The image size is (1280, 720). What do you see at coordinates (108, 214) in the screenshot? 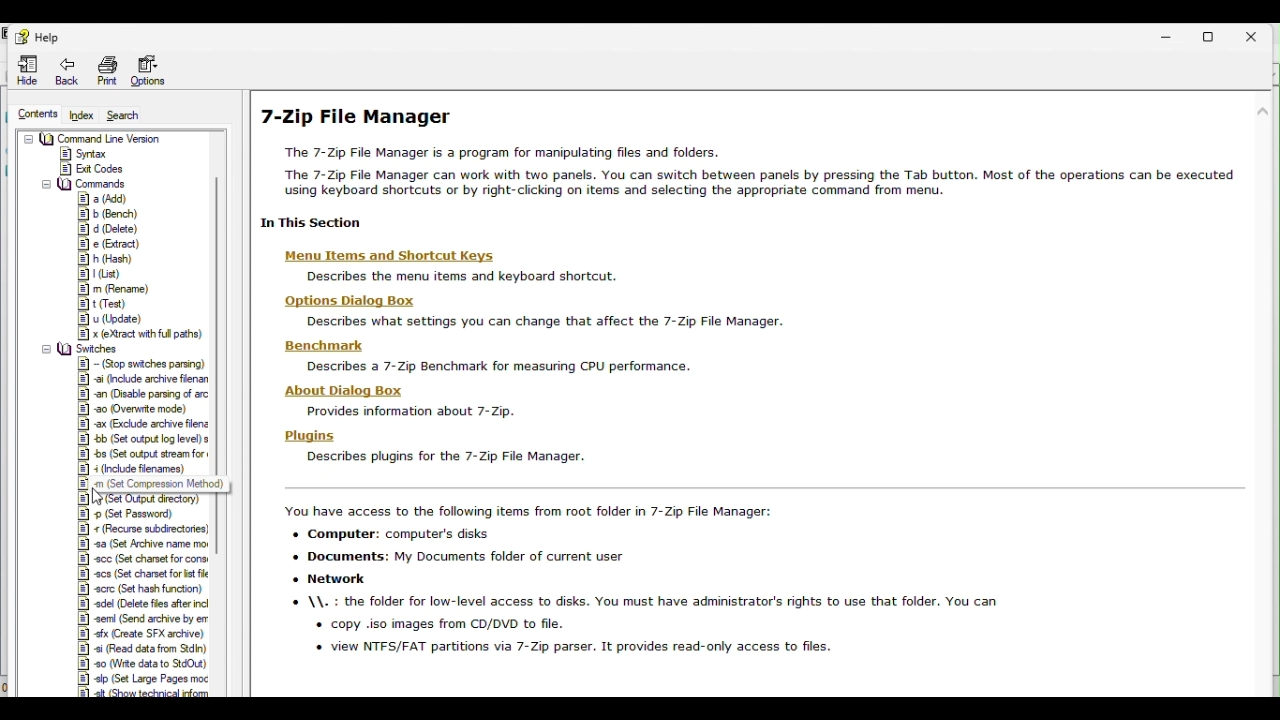
I see `bench` at bounding box center [108, 214].